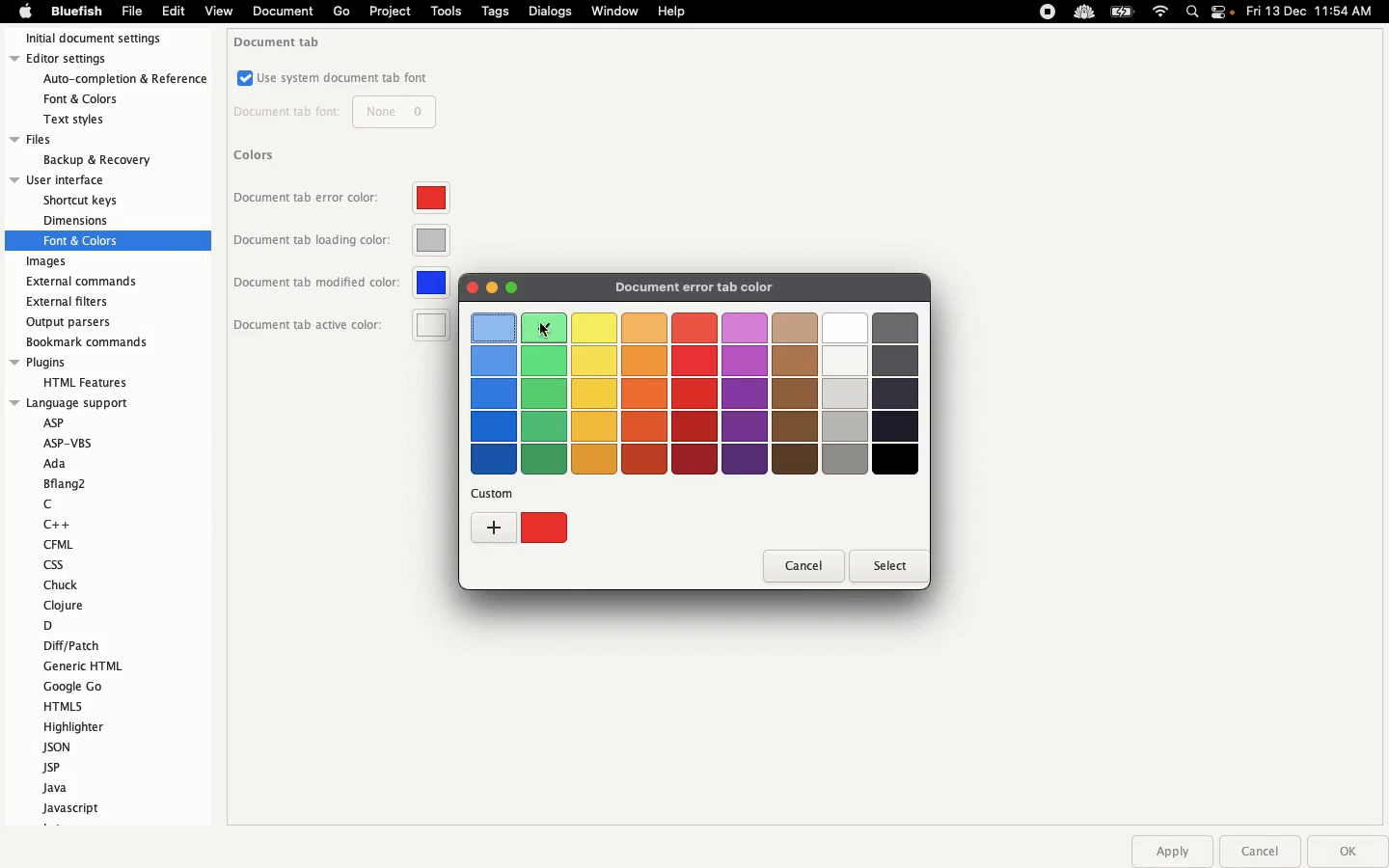 This screenshot has height=868, width=1389. What do you see at coordinates (25, 11) in the screenshot?
I see `Apple logo` at bounding box center [25, 11].